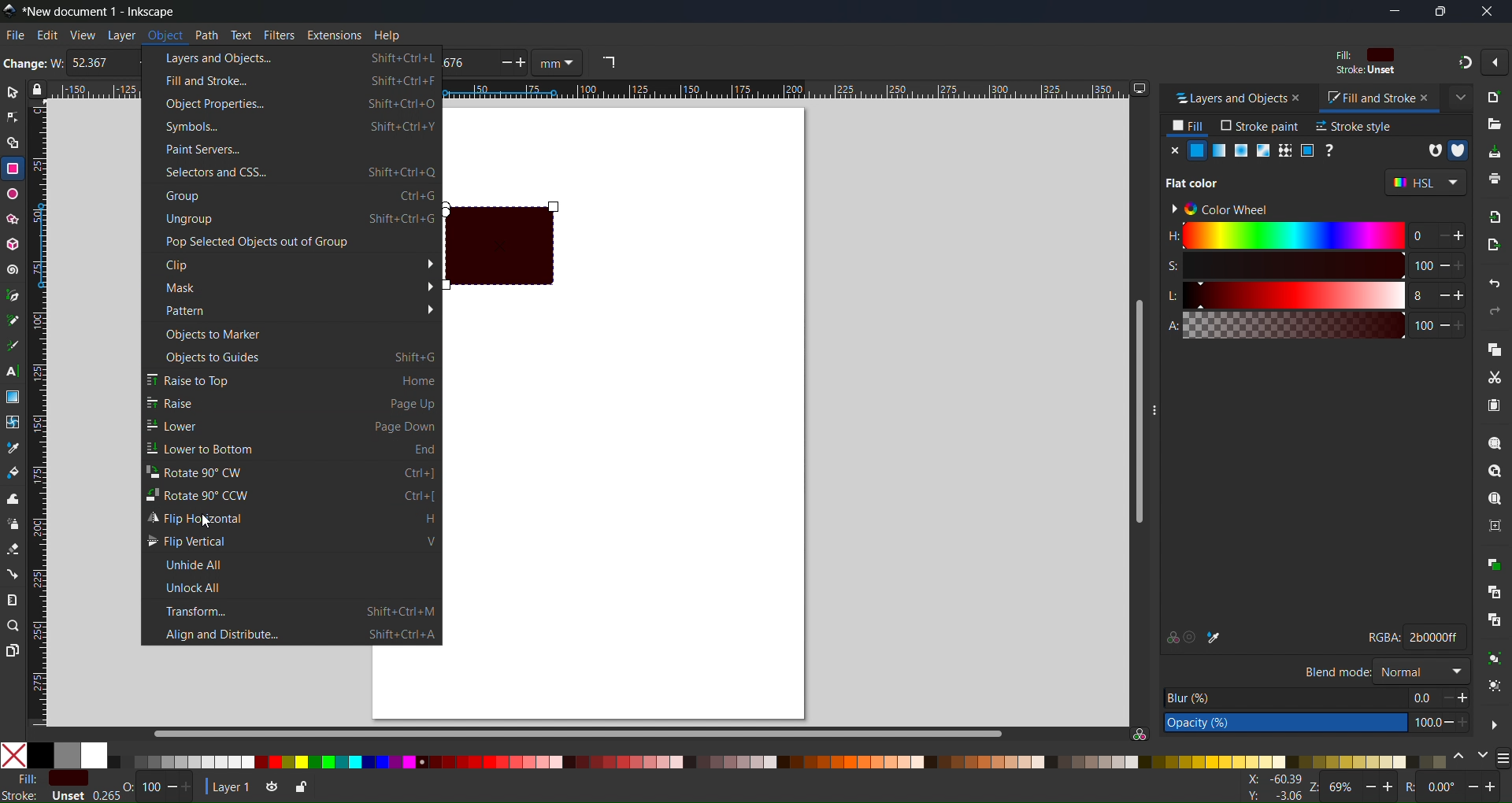 The height and width of the screenshot is (803, 1512). Describe the element at coordinates (172, 787) in the screenshot. I see `Minimize opacity` at that location.